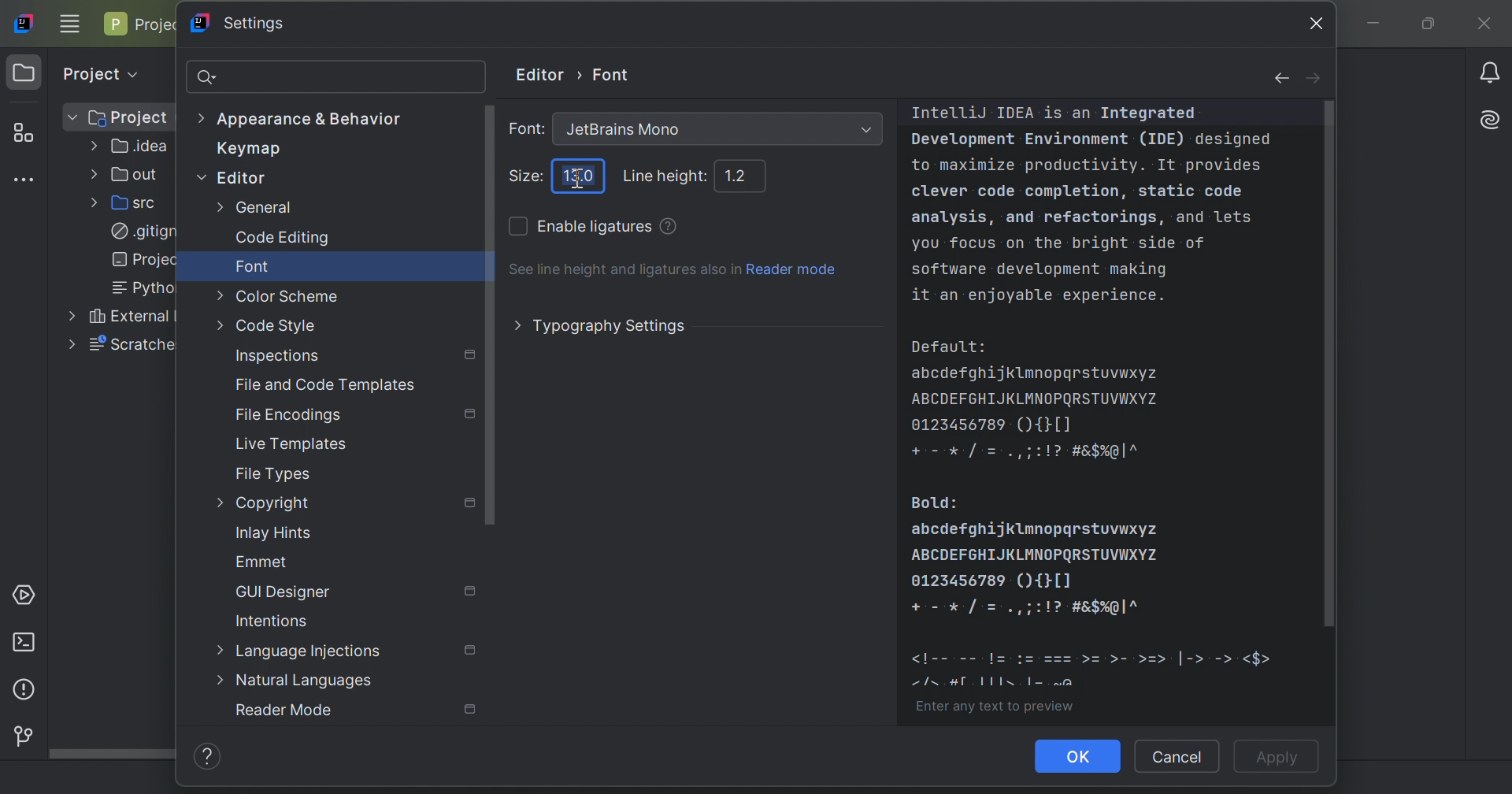  I want to click on Language Injections, so click(302, 652).